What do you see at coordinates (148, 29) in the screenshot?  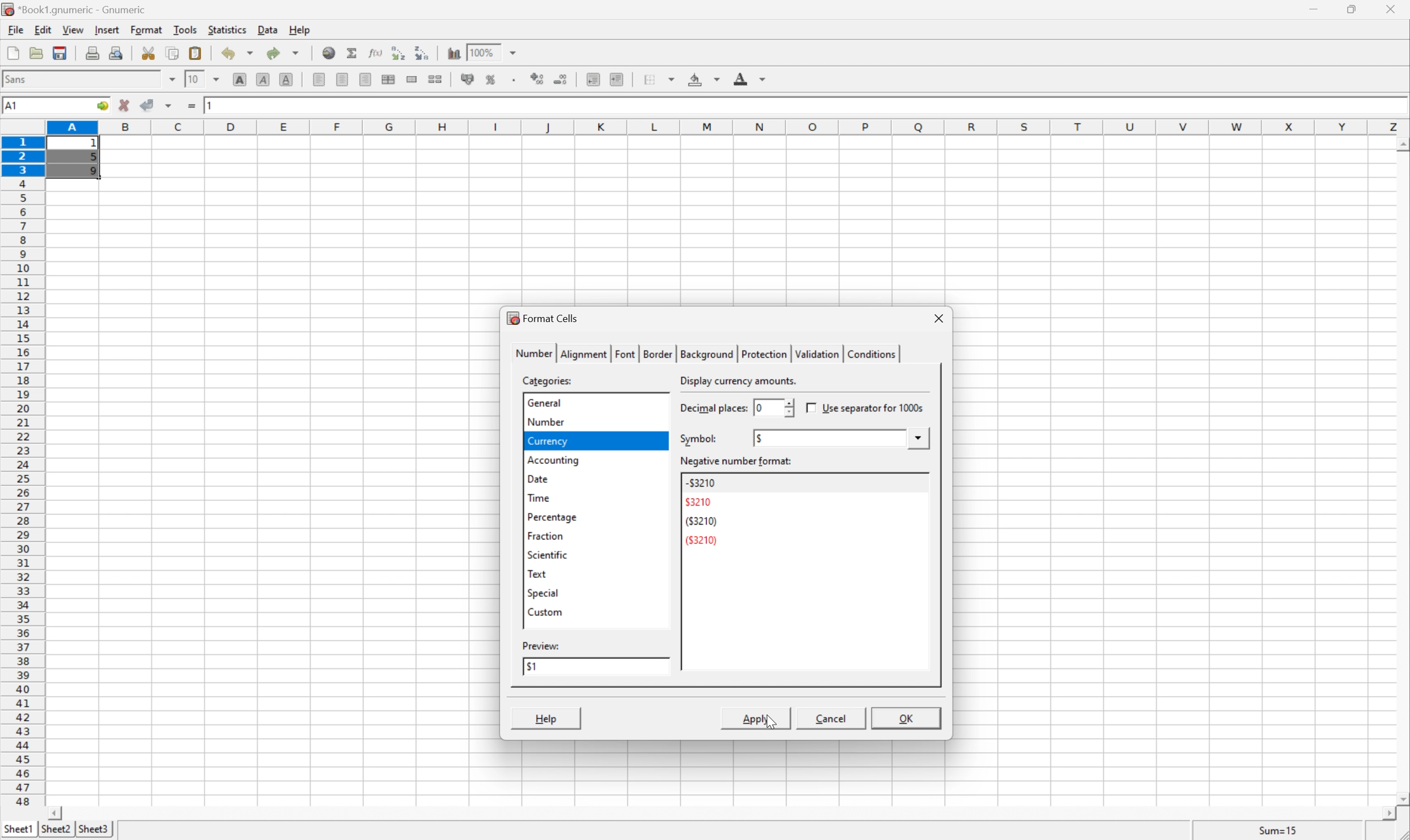 I see `format` at bounding box center [148, 29].